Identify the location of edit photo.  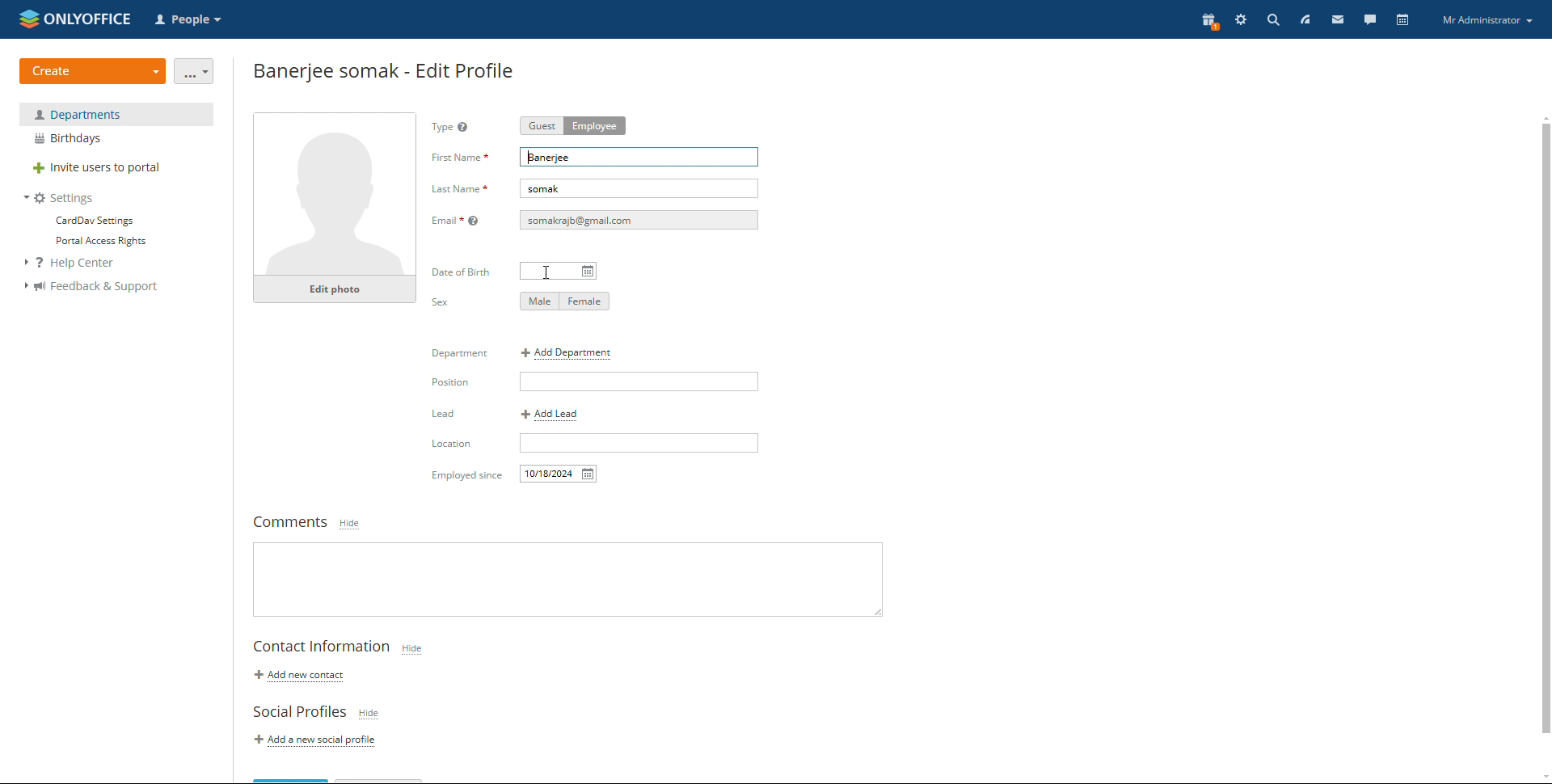
(335, 289).